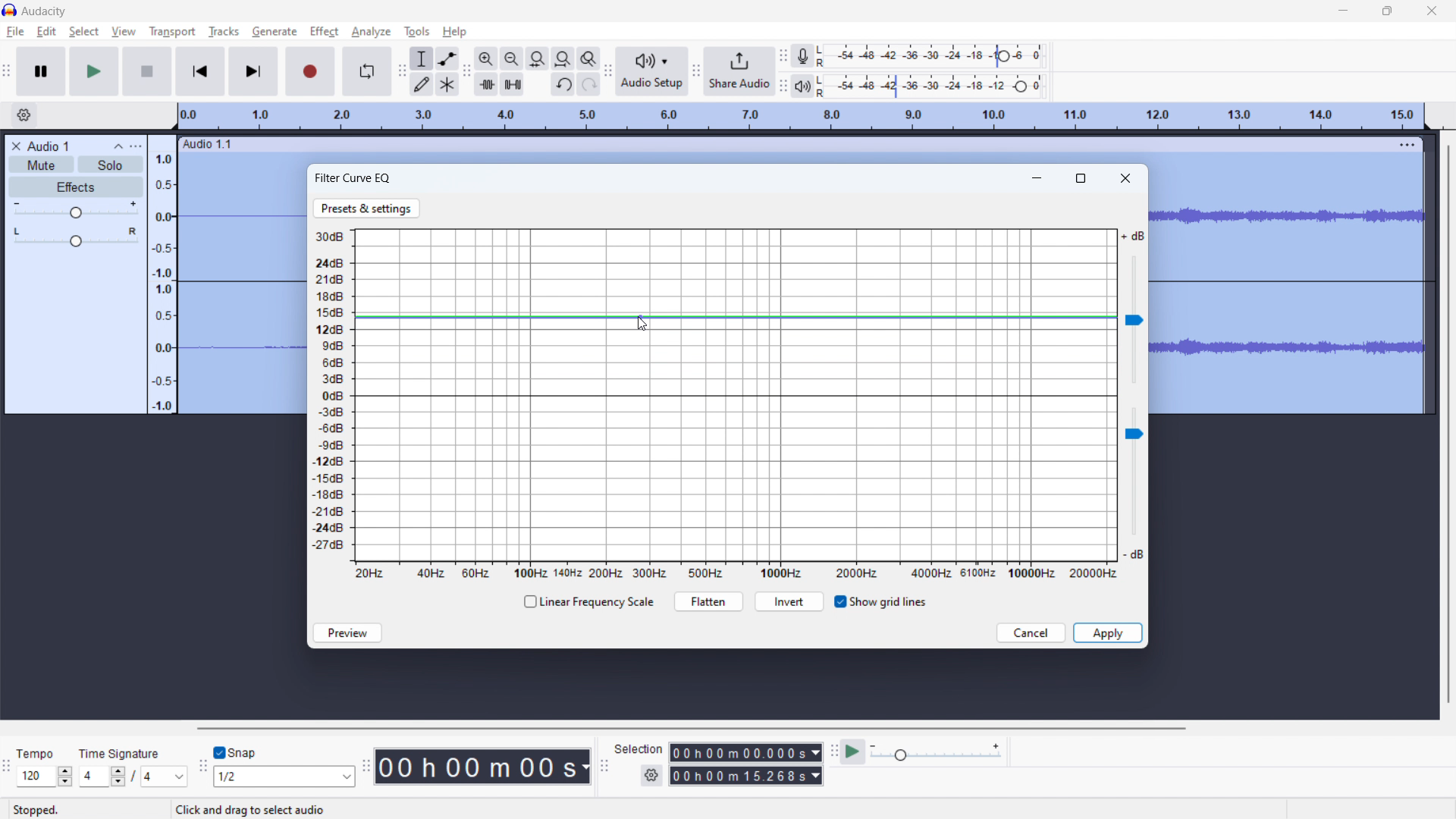 This screenshot has width=1456, height=819. Describe the element at coordinates (121, 750) in the screenshot. I see `Time Signature` at that location.